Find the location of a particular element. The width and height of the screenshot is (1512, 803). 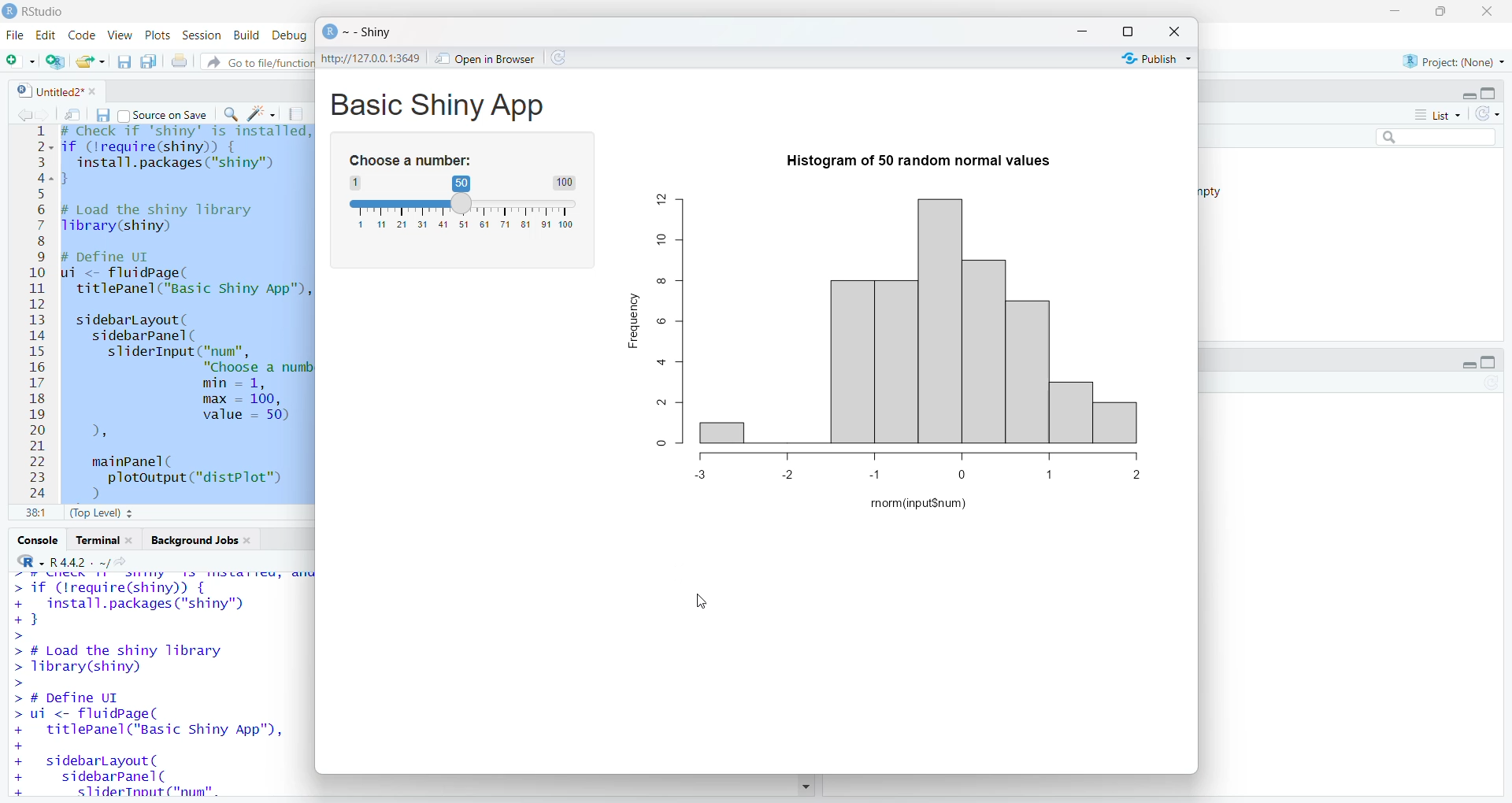

38:1 is located at coordinates (39, 513).